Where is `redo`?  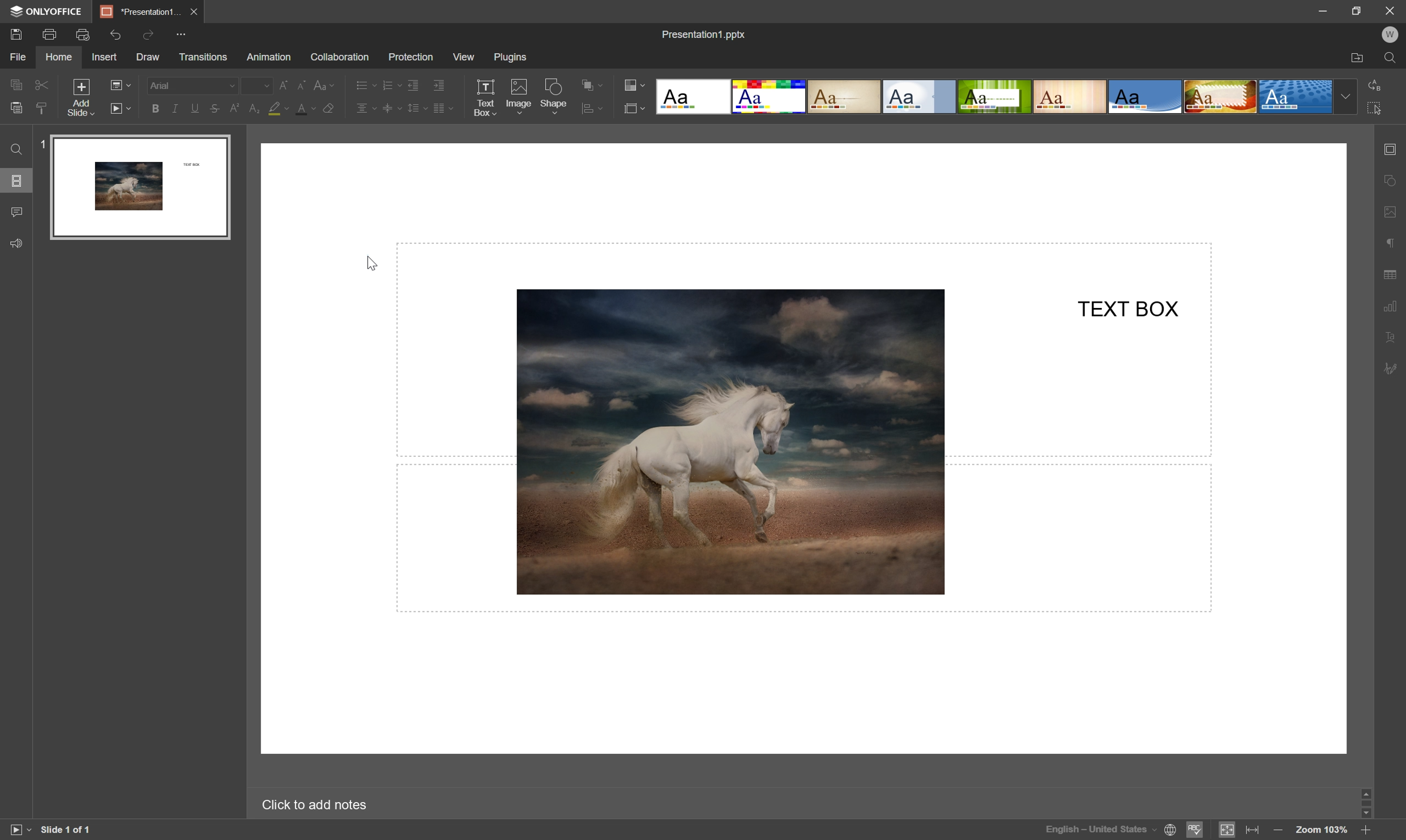 redo is located at coordinates (151, 37).